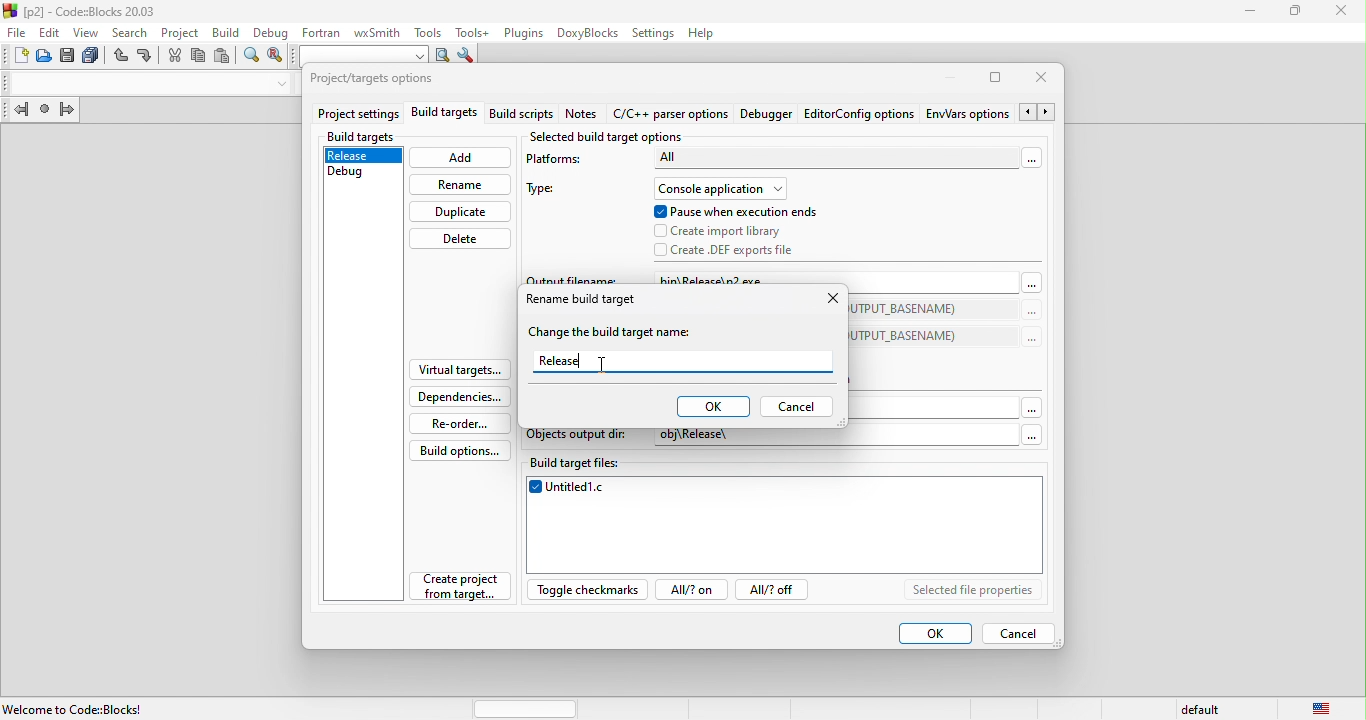 This screenshot has height=720, width=1366. What do you see at coordinates (683, 362) in the screenshot?
I see `release` at bounding box center [683, 362].